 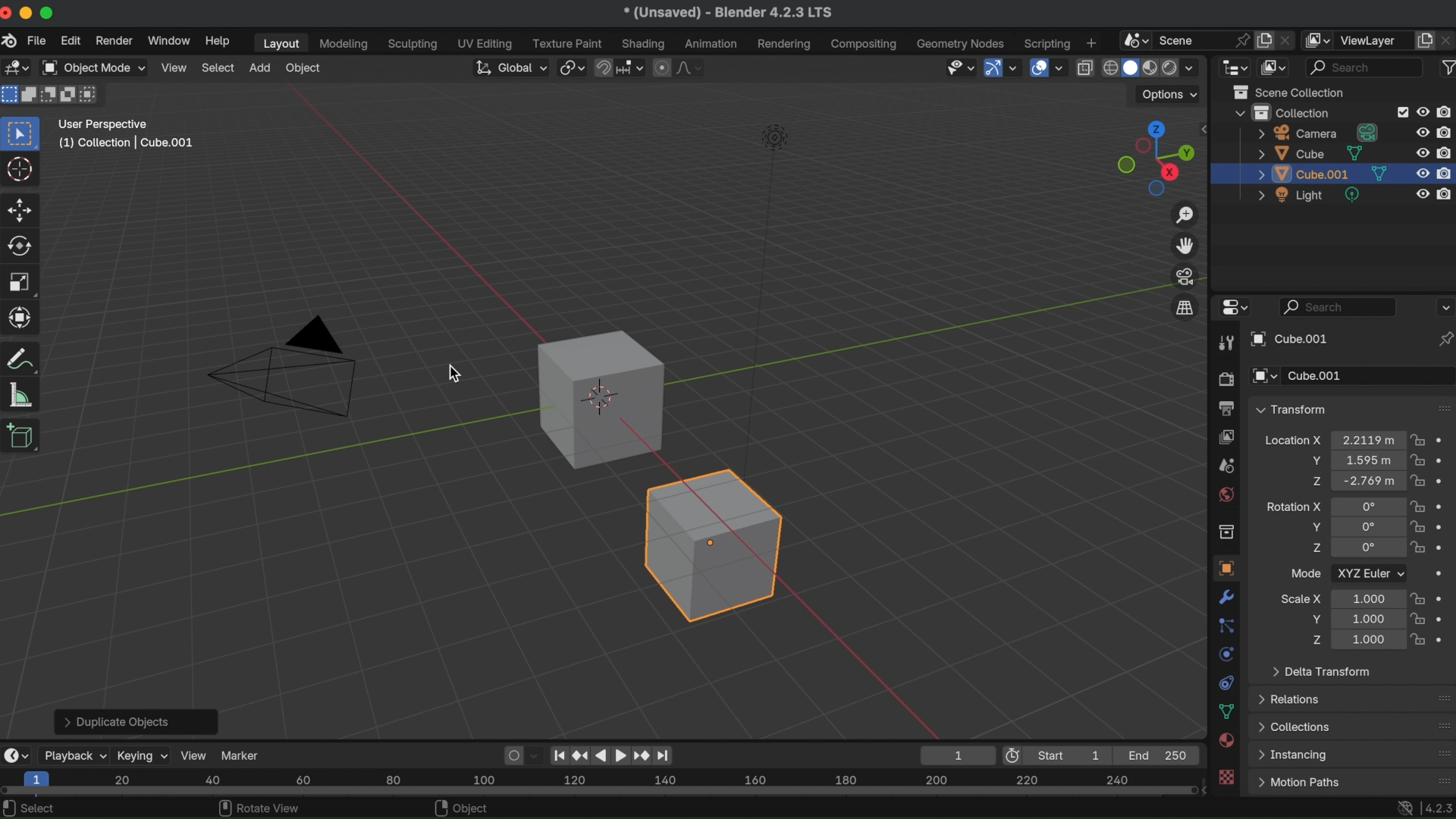 I want to click on output, so click(x=1224, y=408).